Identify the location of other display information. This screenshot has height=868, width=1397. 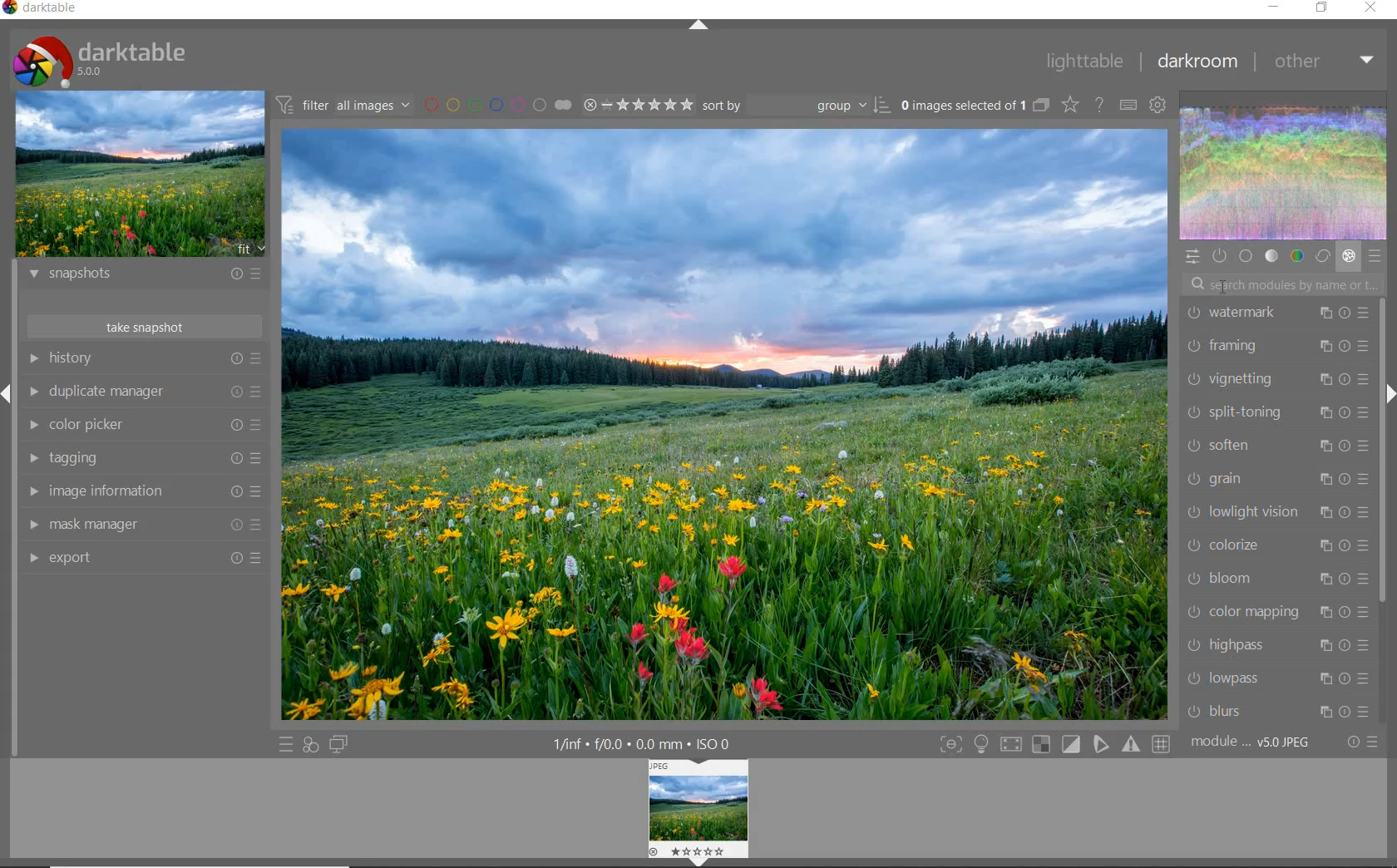
(644, 744).